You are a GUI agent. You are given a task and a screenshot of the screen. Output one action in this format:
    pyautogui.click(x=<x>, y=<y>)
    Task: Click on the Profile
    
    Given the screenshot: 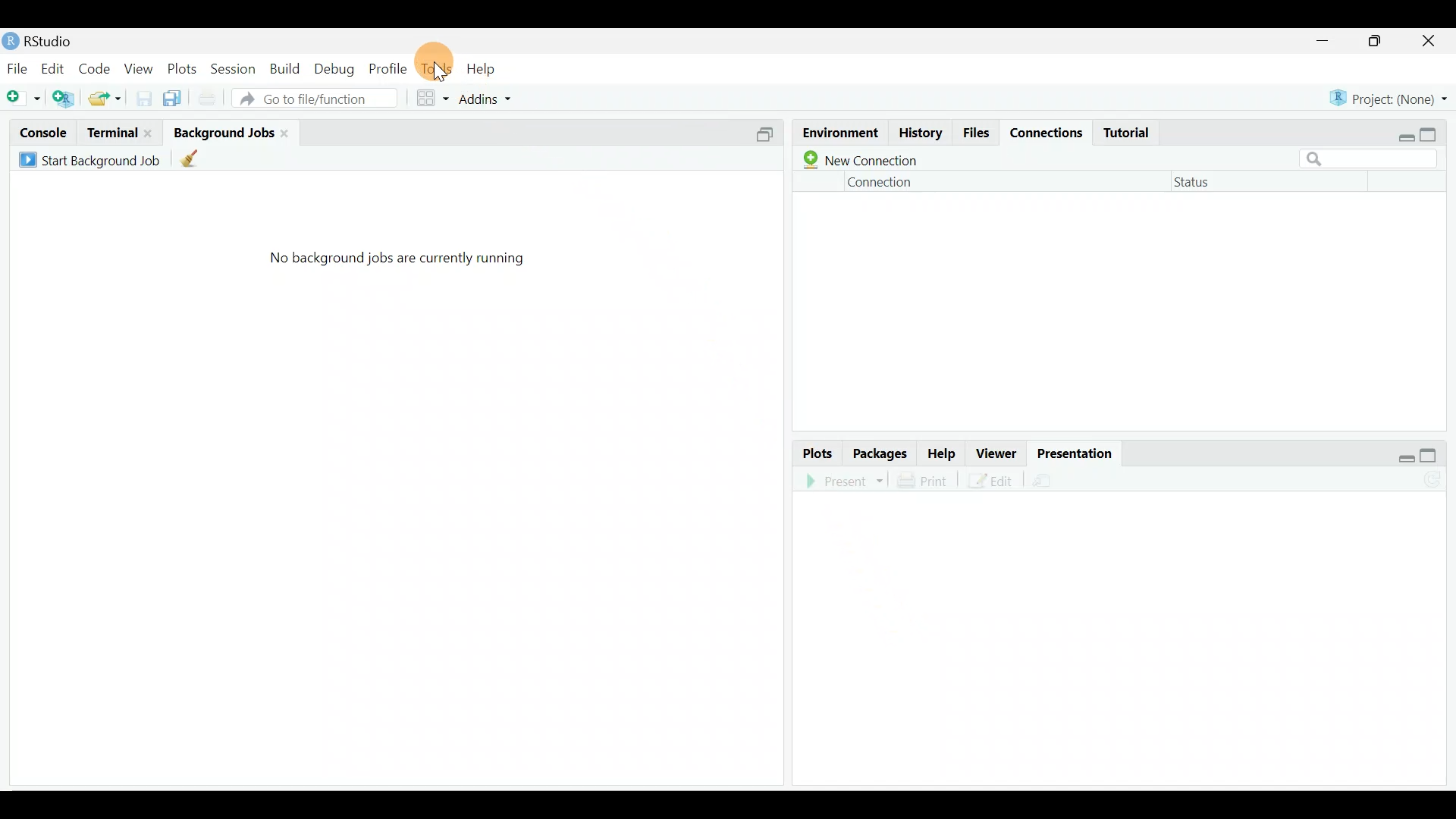 What is the action you would take?
    pyautogui.click(x=388, y=68)
    